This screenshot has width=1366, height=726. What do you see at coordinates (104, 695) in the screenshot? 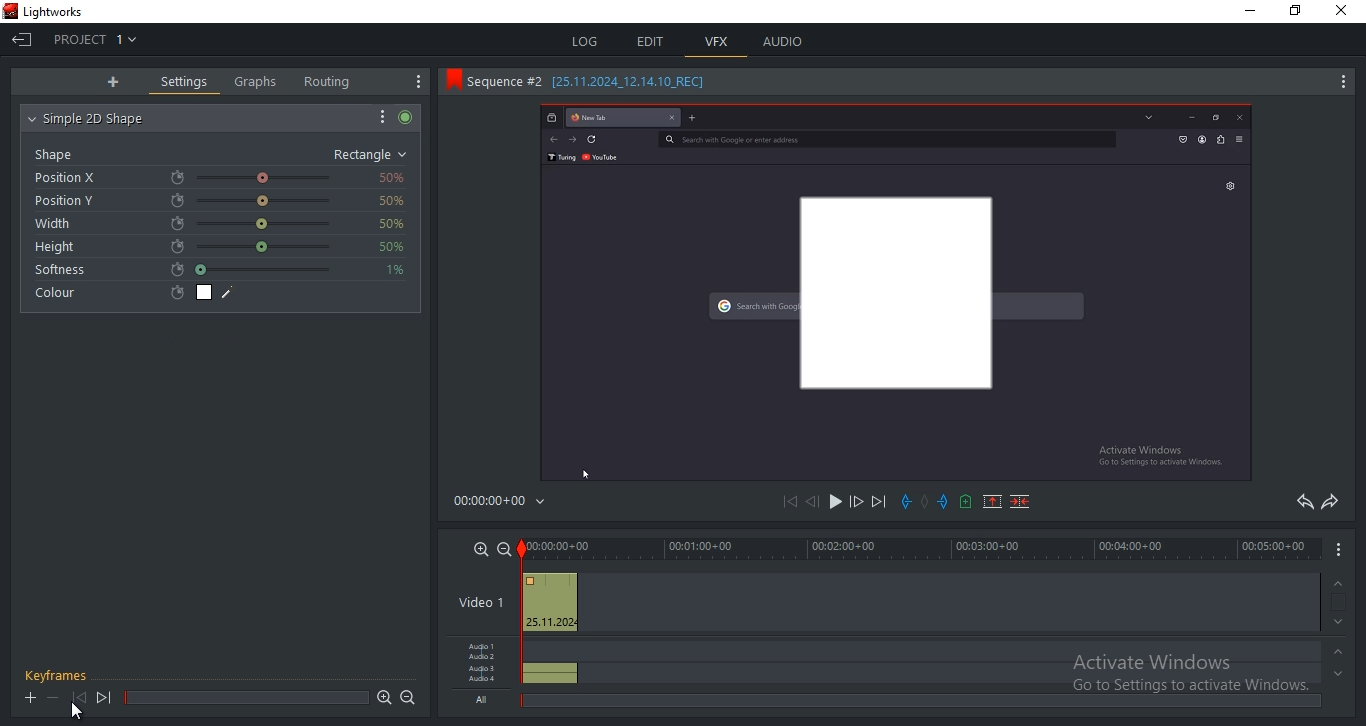
I see `next` at bounding box center [104, 695].